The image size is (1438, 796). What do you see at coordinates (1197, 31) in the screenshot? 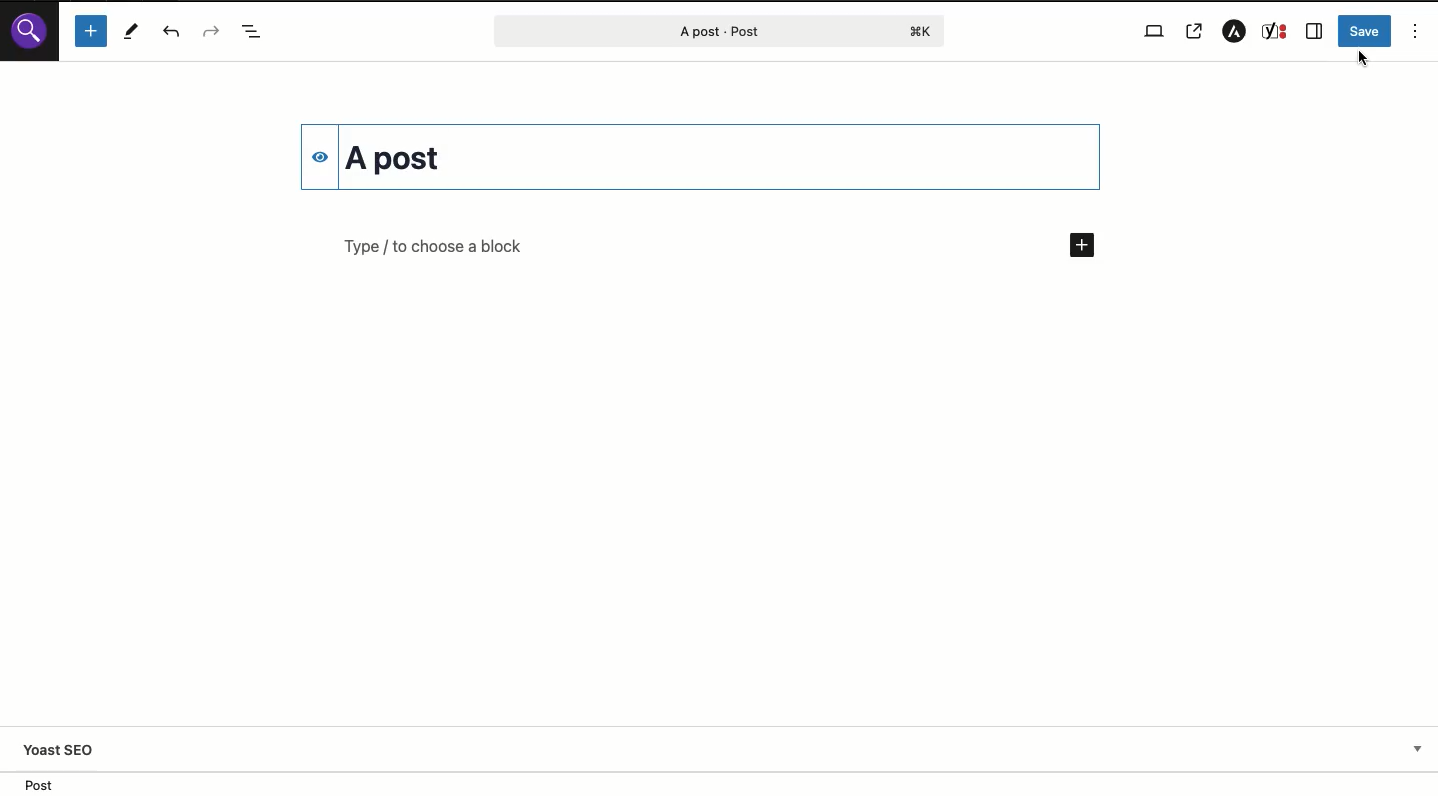
I see `View post` at bounding box center [1197, 31].